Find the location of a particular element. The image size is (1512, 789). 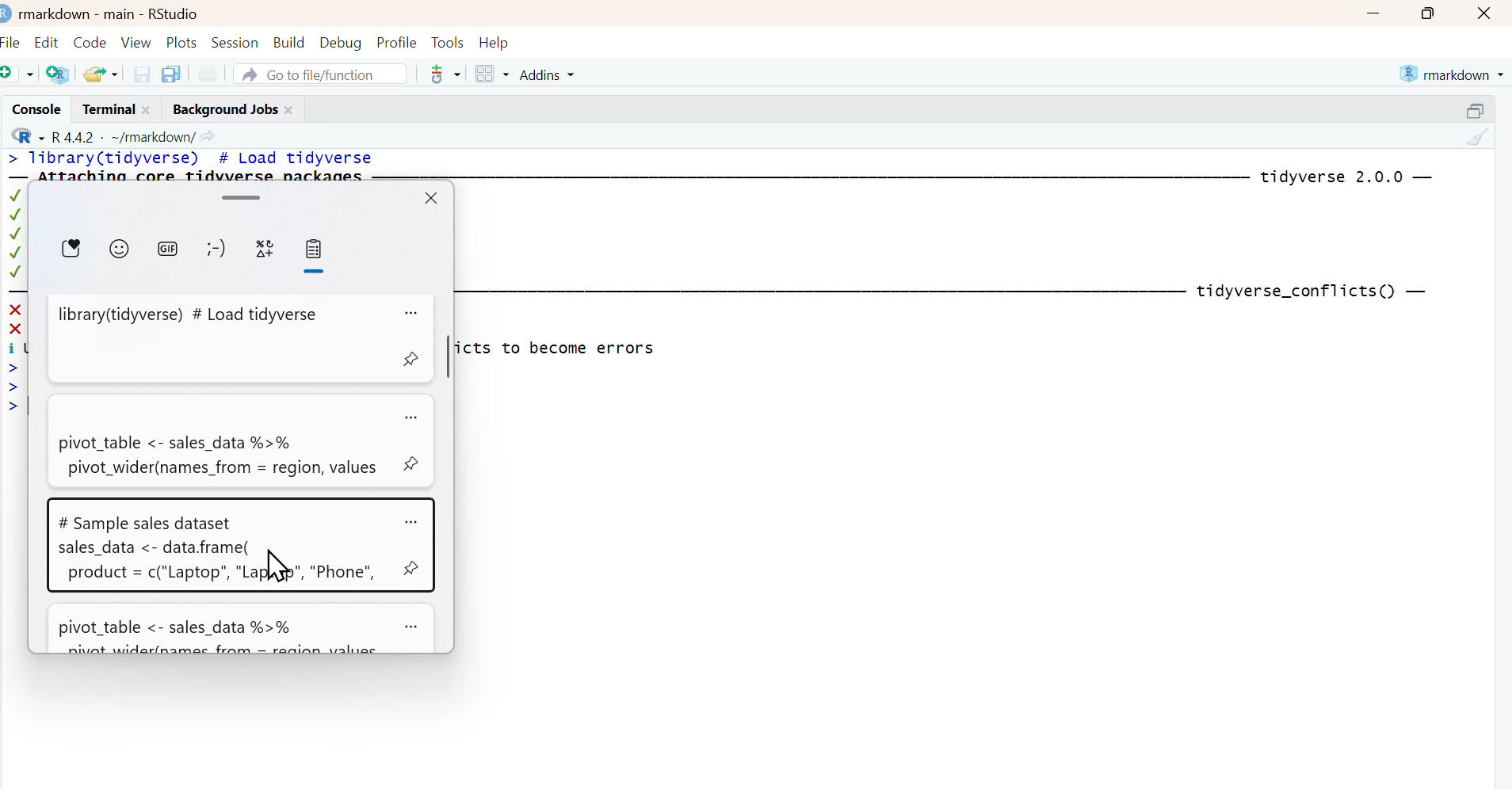

close is located at coordinates (433, 198).